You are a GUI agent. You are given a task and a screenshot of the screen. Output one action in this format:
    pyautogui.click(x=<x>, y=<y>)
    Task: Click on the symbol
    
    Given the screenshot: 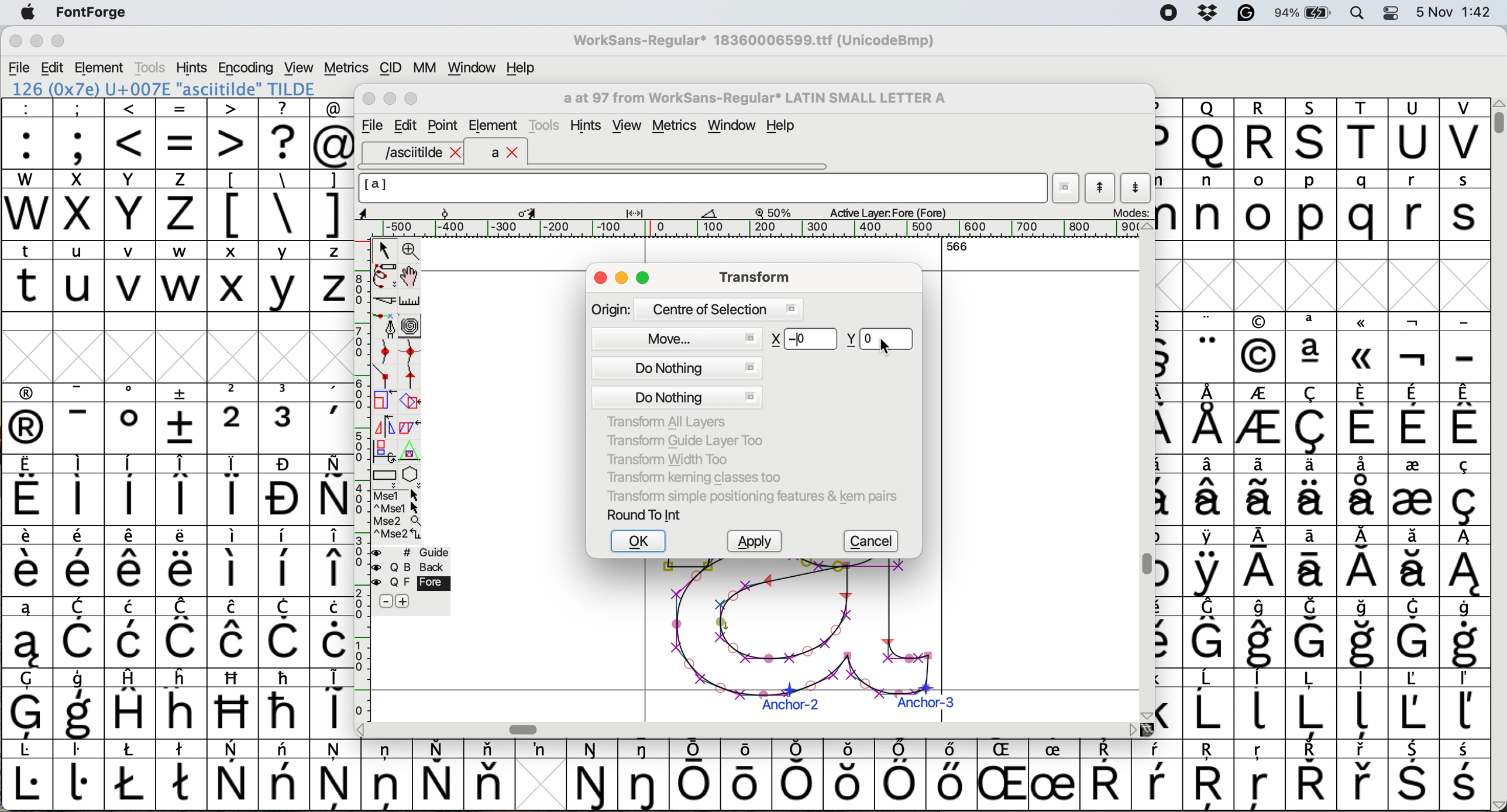 What is the action you would take?
    pyautogui.click(x=1262, y=490)
    